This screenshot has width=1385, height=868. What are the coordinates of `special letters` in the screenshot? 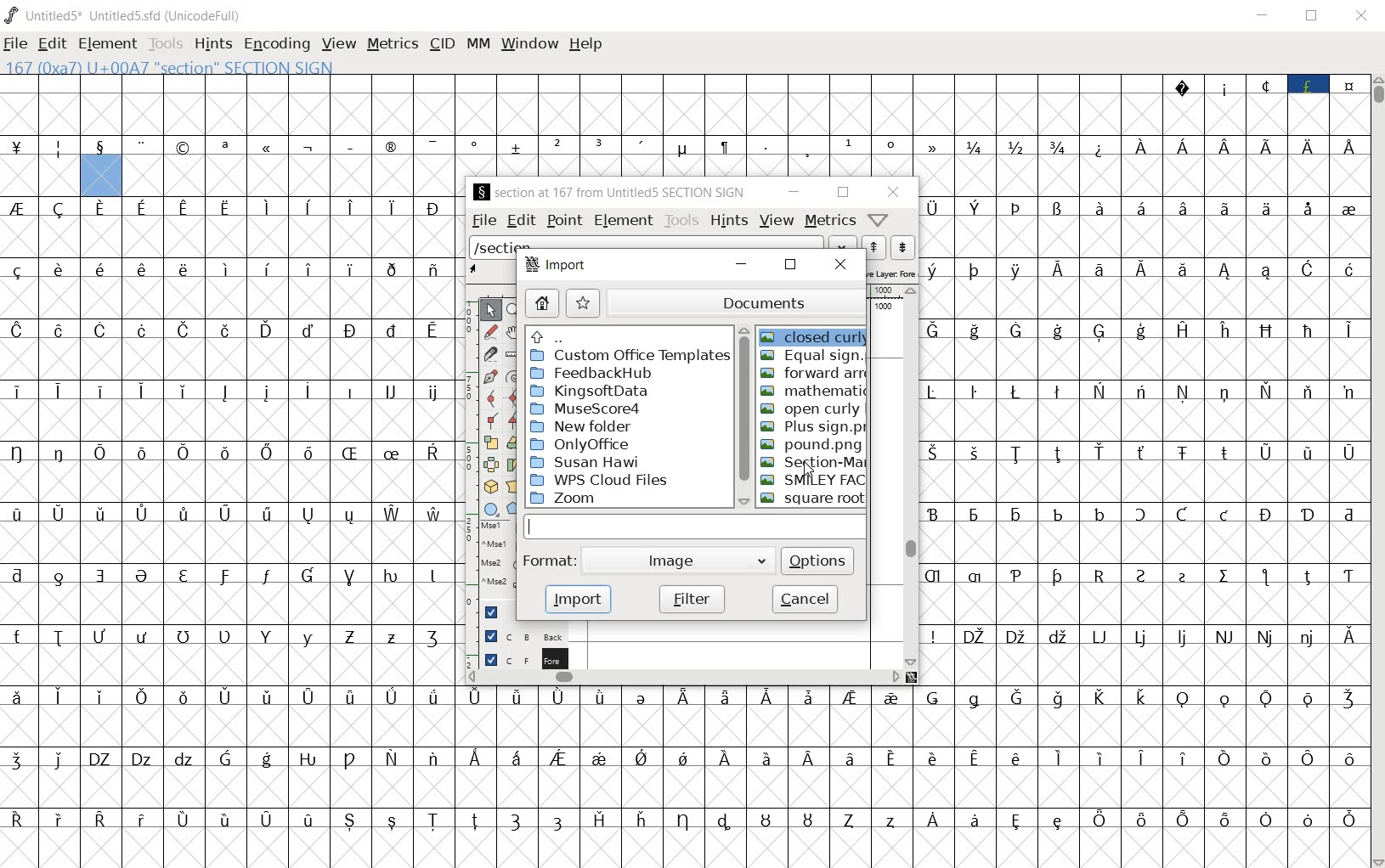 It's located at (1144, 511).